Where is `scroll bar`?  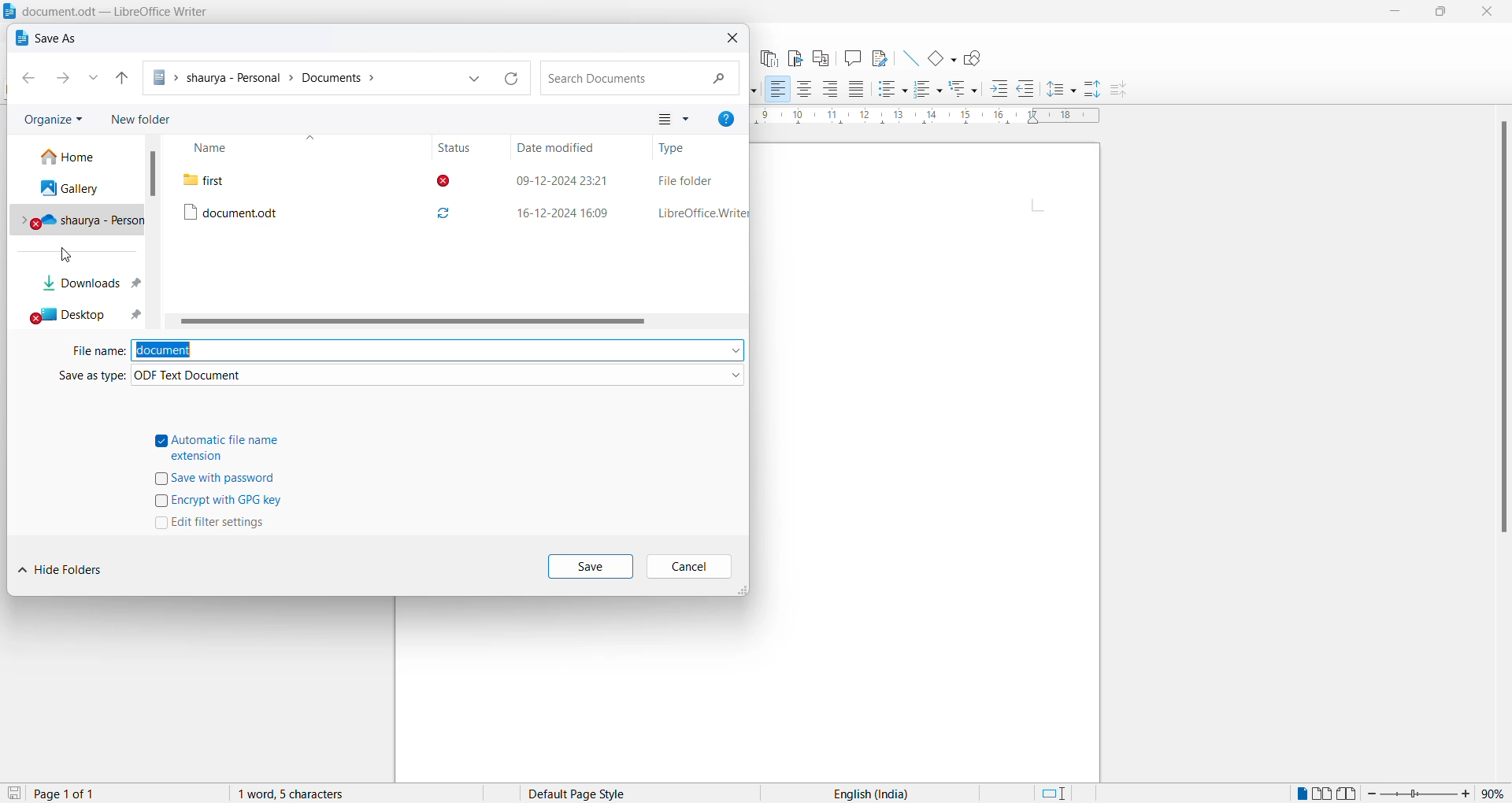 scroll bar is located at coordinates (155, 175).